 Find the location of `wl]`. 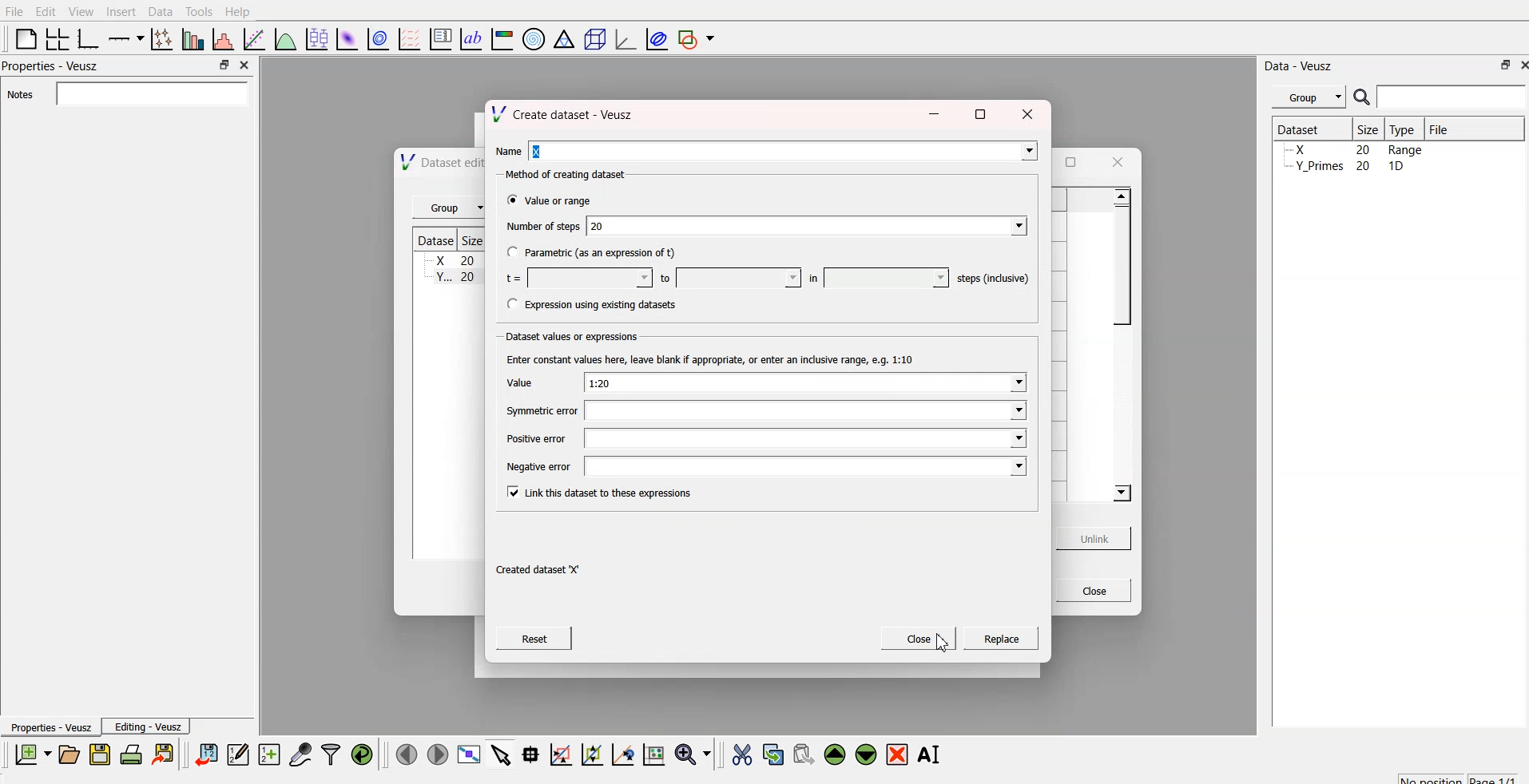

wl] is located at coordinates (872, 278).